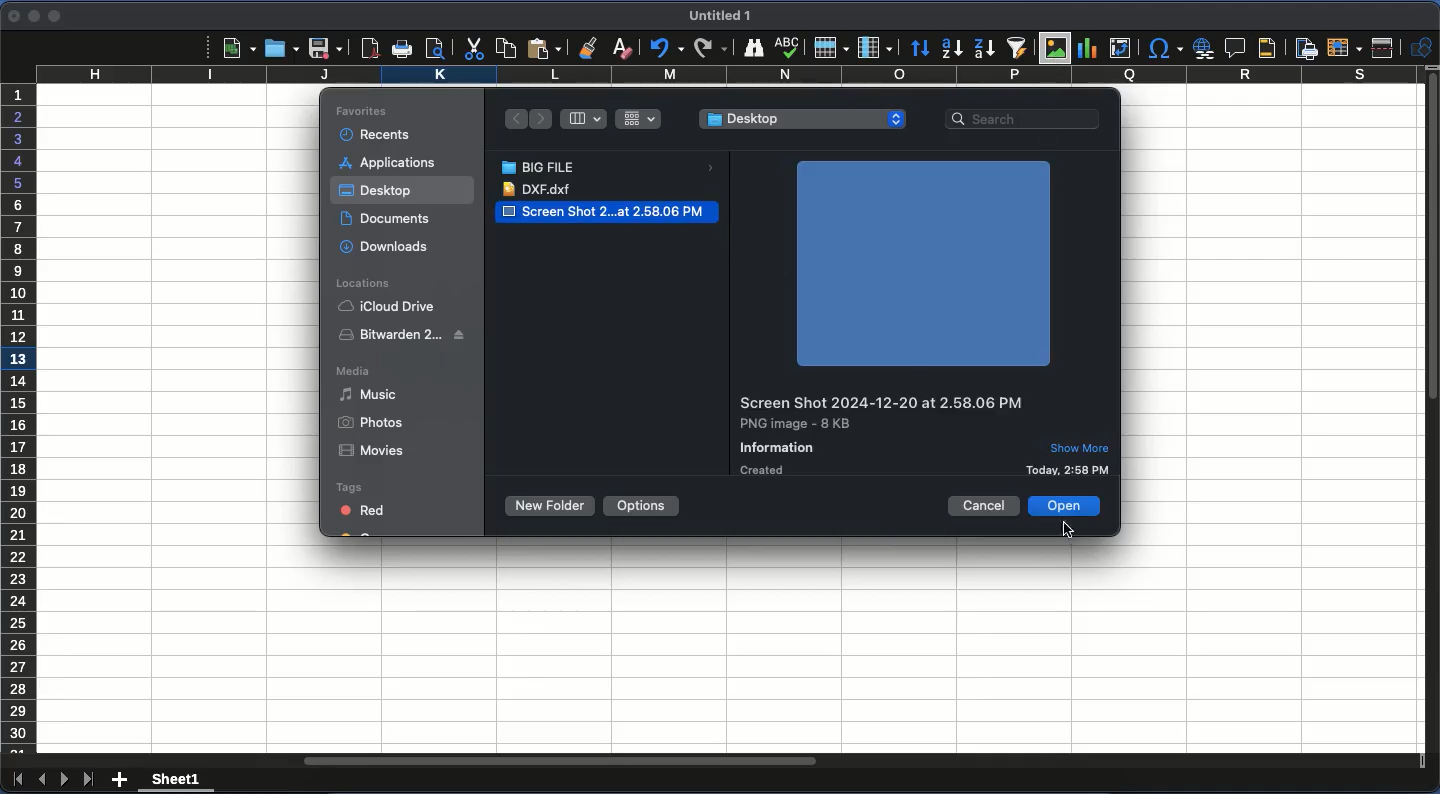  What do you see at coordinates (1165, 48) in the screenshot?
I see `special character` at bounding box center [1165, 48].